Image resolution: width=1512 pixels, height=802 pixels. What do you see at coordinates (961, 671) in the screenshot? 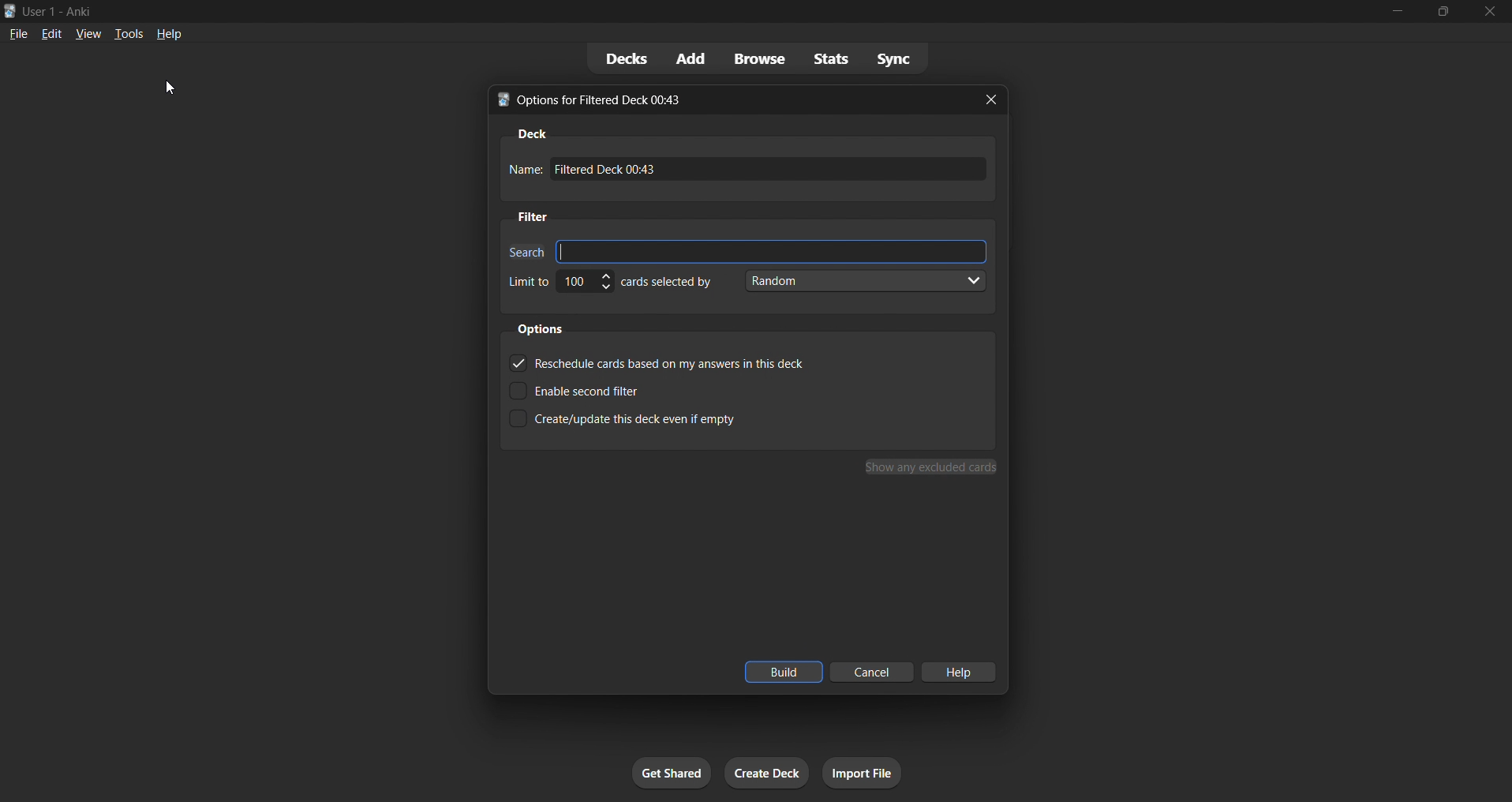
I see `hlep` at bounding box center [961, 671].